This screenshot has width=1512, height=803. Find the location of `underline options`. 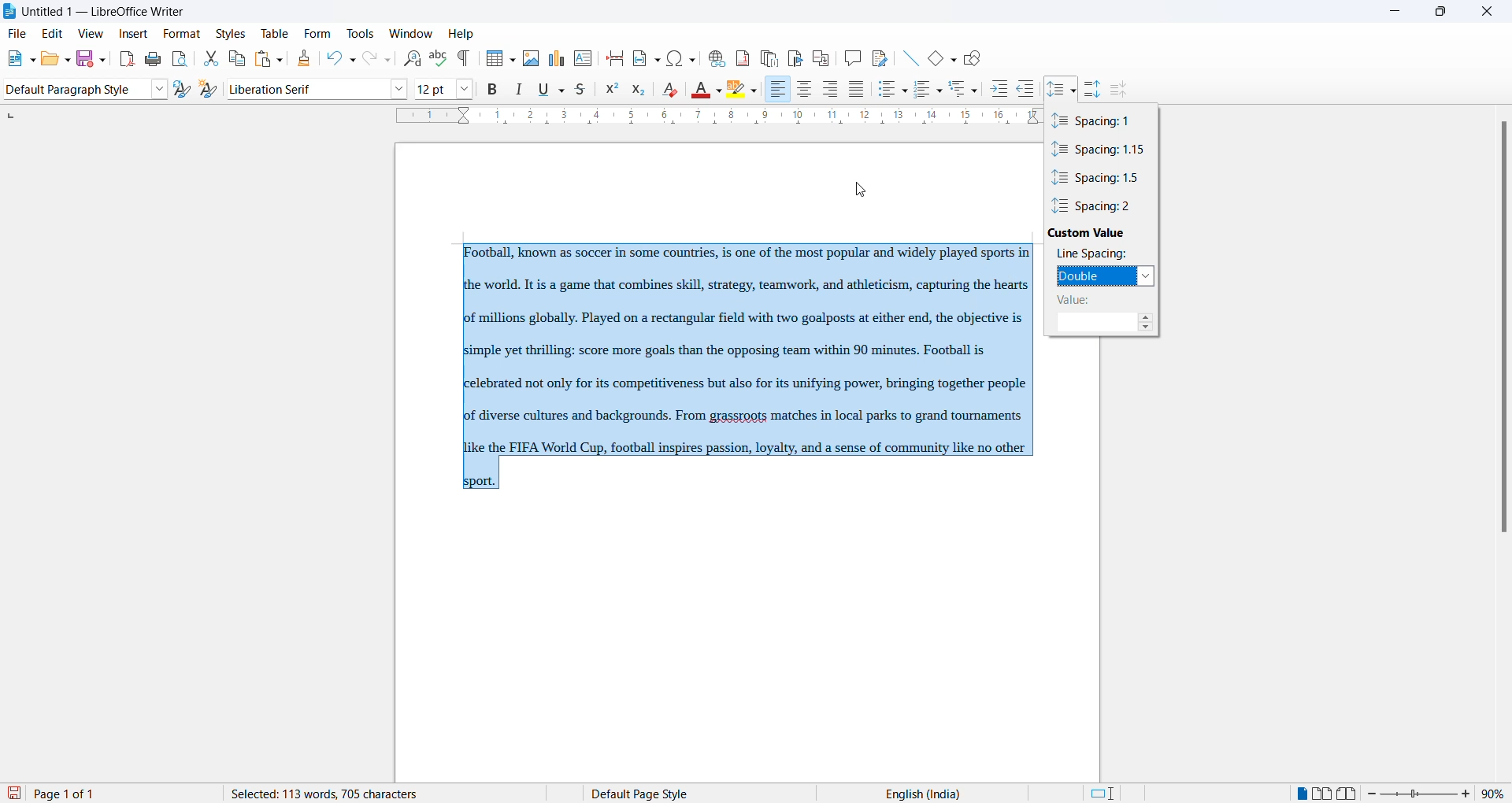

underline options is located at coordinates (561, 90).